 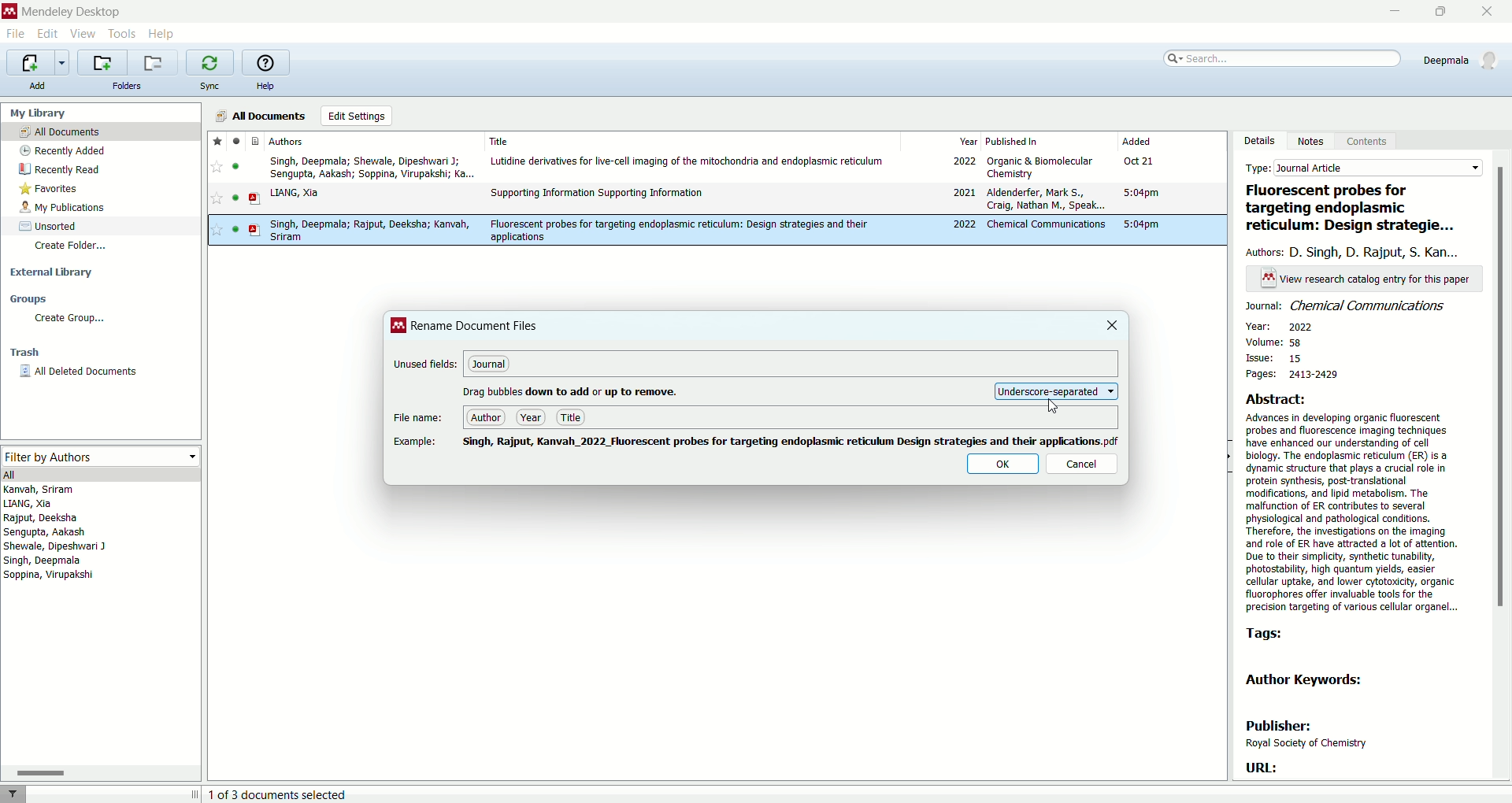 I want to click on Oct 21, so click(x=1142, y=162).